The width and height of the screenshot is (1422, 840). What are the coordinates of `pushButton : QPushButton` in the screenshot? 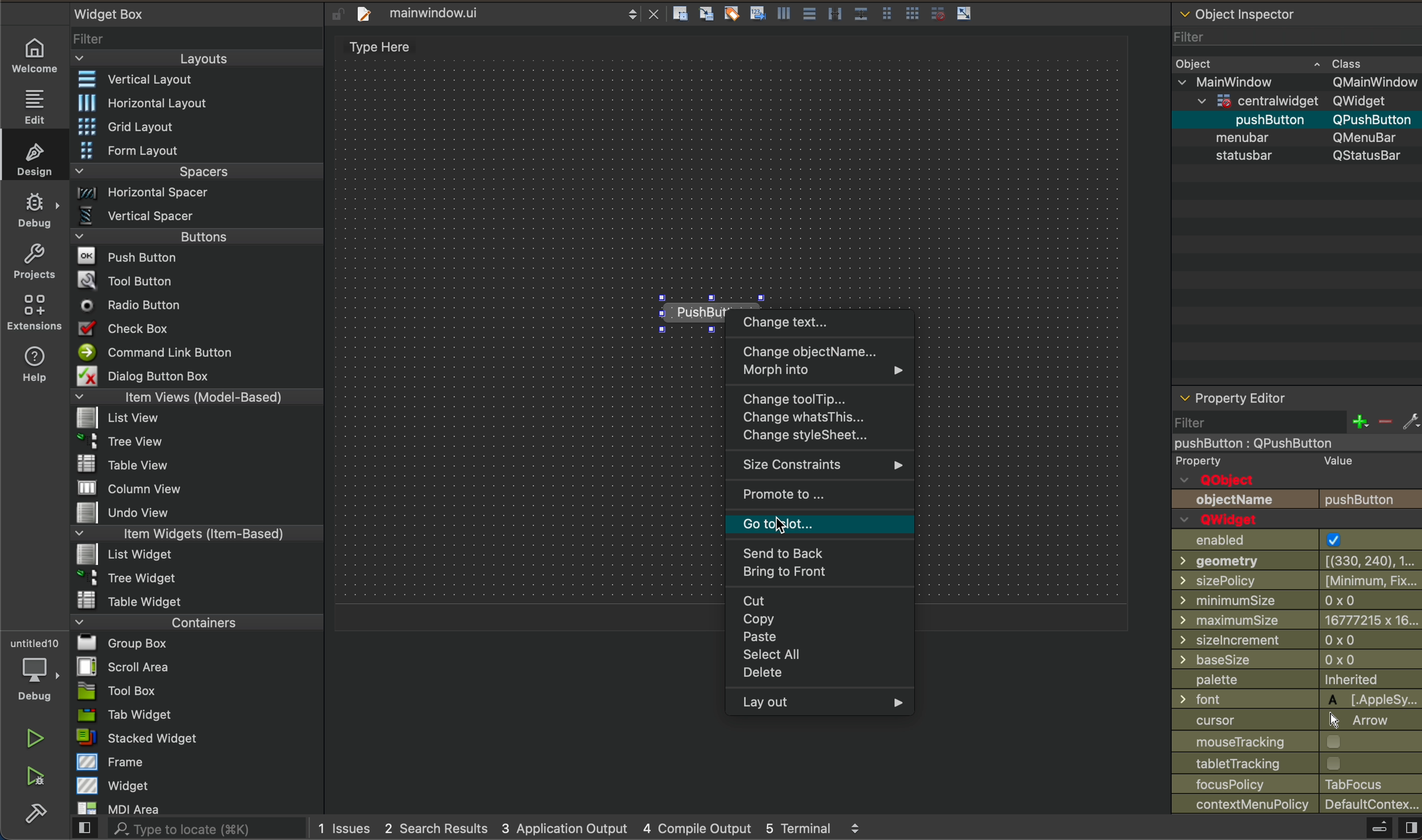 It's located at (1258, 444).